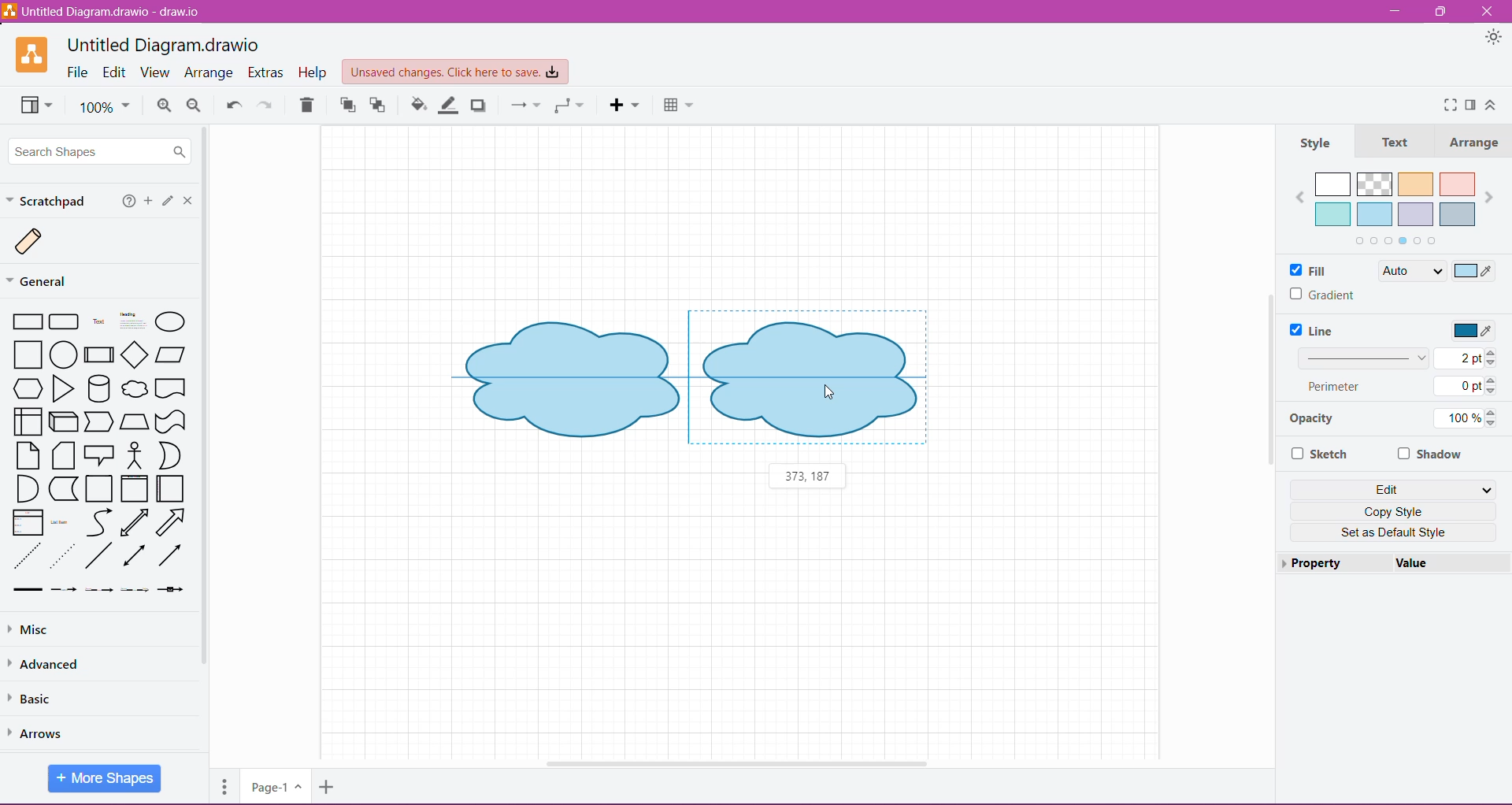  Describe the element at coordinates (1475, 273) in the screenshot. I see `Select Color to Fill` at that location.